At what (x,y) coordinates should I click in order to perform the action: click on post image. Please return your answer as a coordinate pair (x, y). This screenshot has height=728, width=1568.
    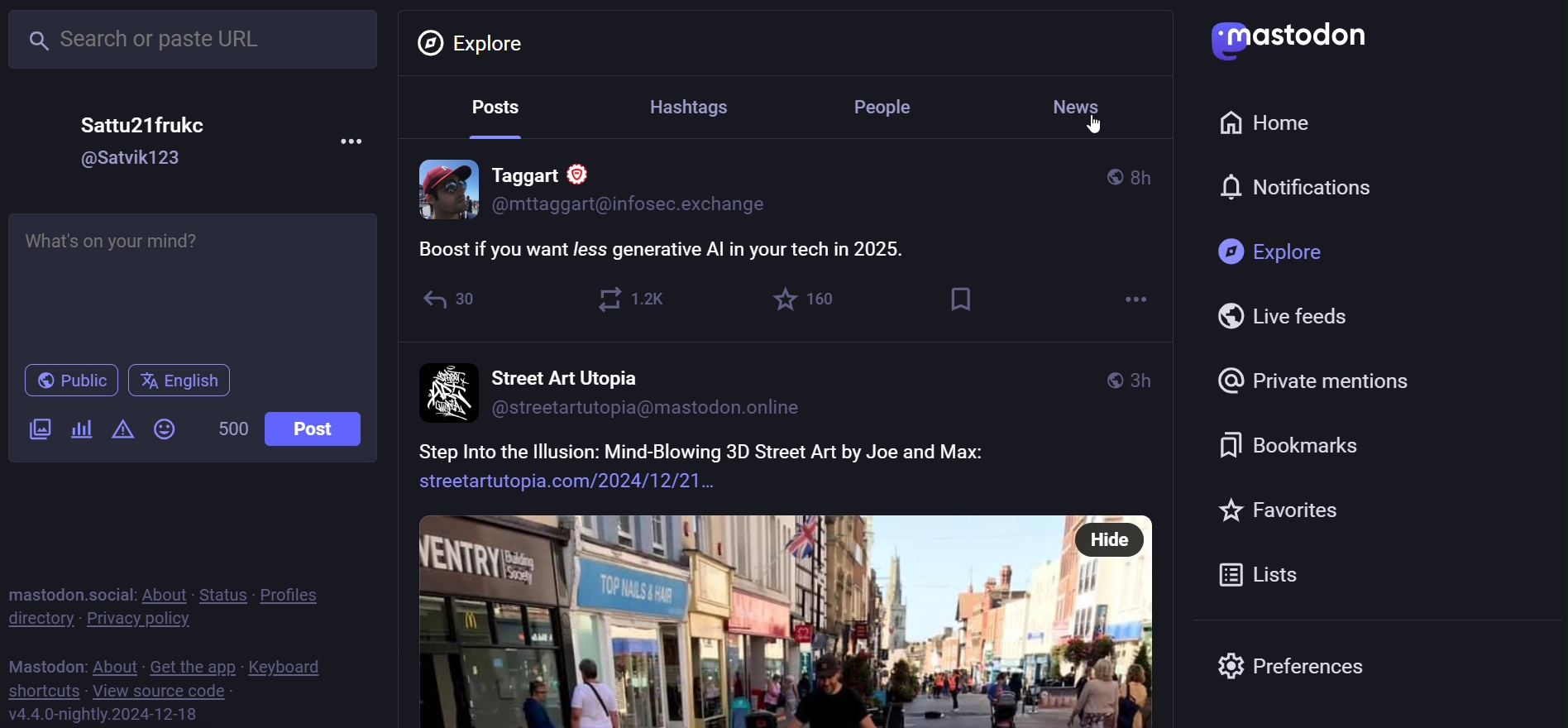
    Looking at the image, I should click on (739, 620).